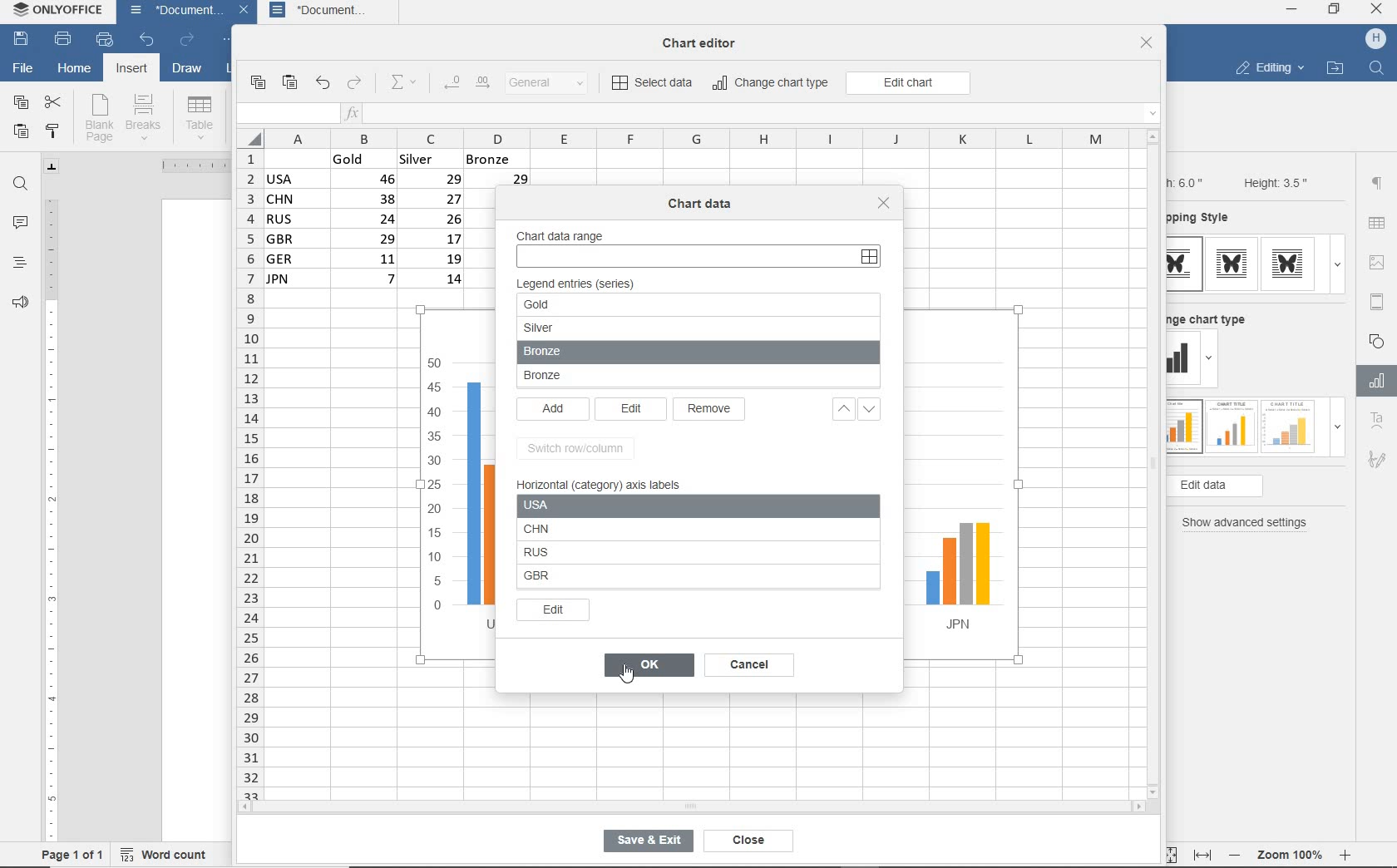 The height and width of the screenshot is (868, 1397). Describe the element at coordinates (99, 118) in the screenshot. I see `blank page` at that location.